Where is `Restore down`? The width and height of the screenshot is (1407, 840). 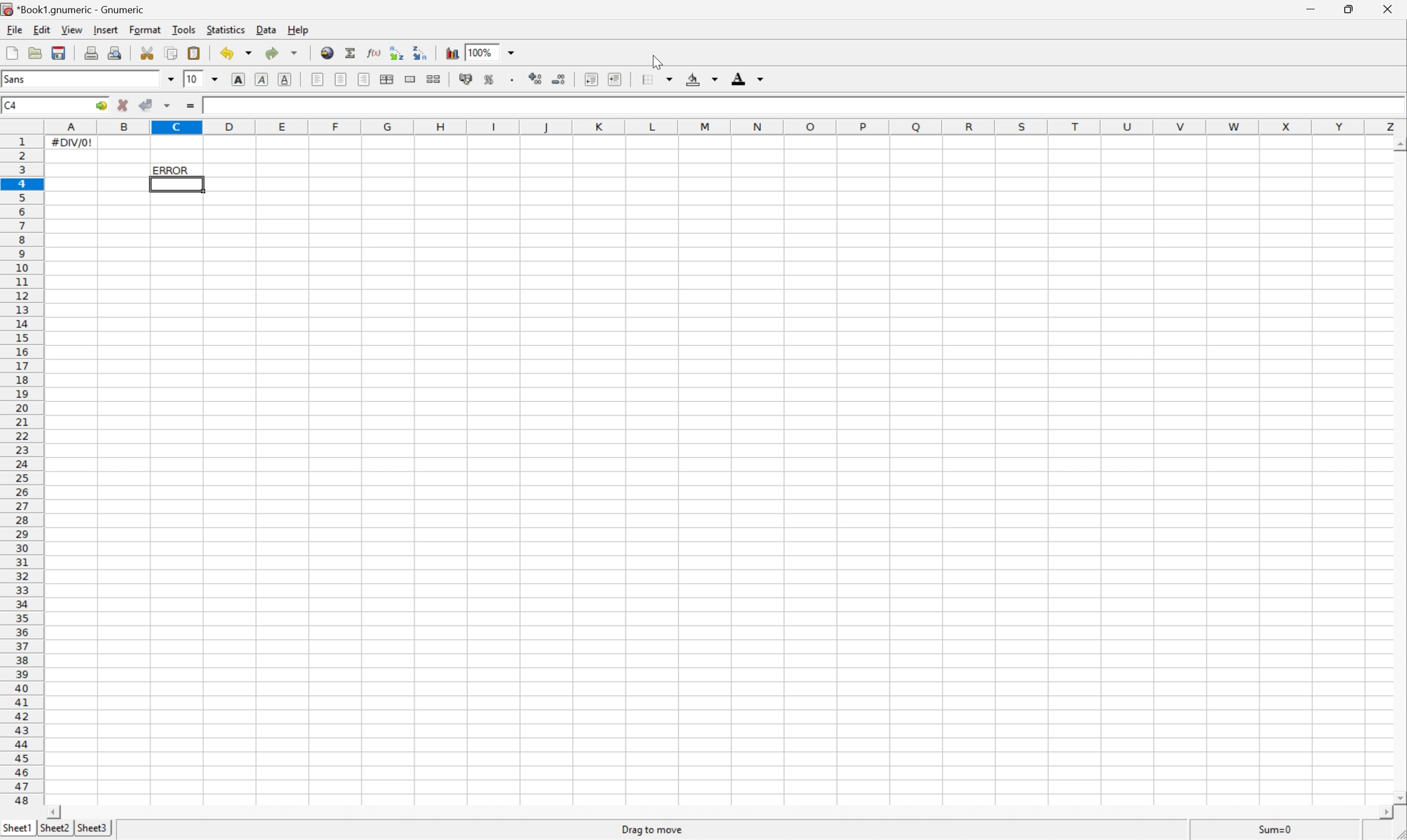
Restore down is located at coordinates (1350, 8).